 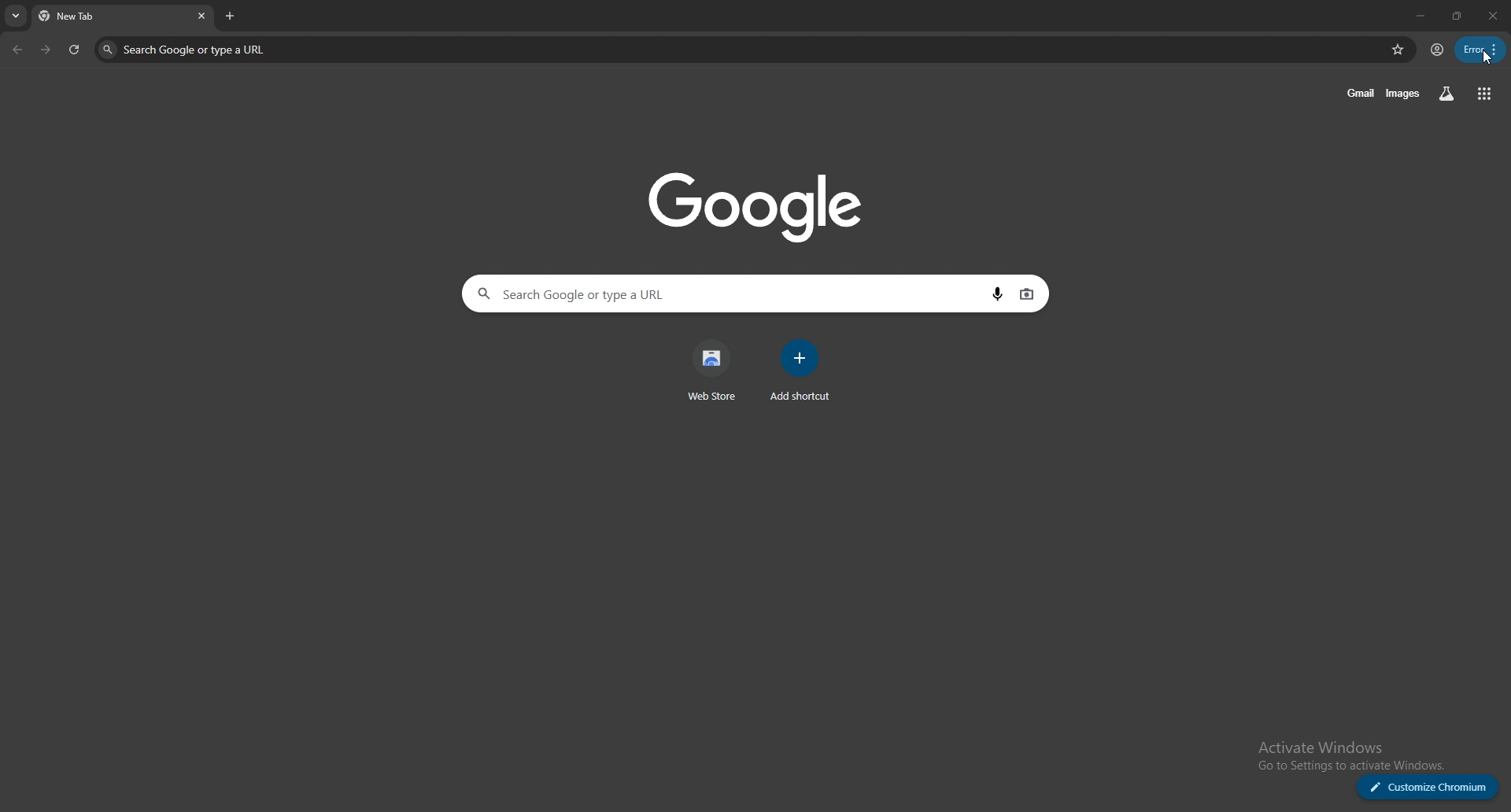 I want to click on refresh, so click(x=74, y=50).